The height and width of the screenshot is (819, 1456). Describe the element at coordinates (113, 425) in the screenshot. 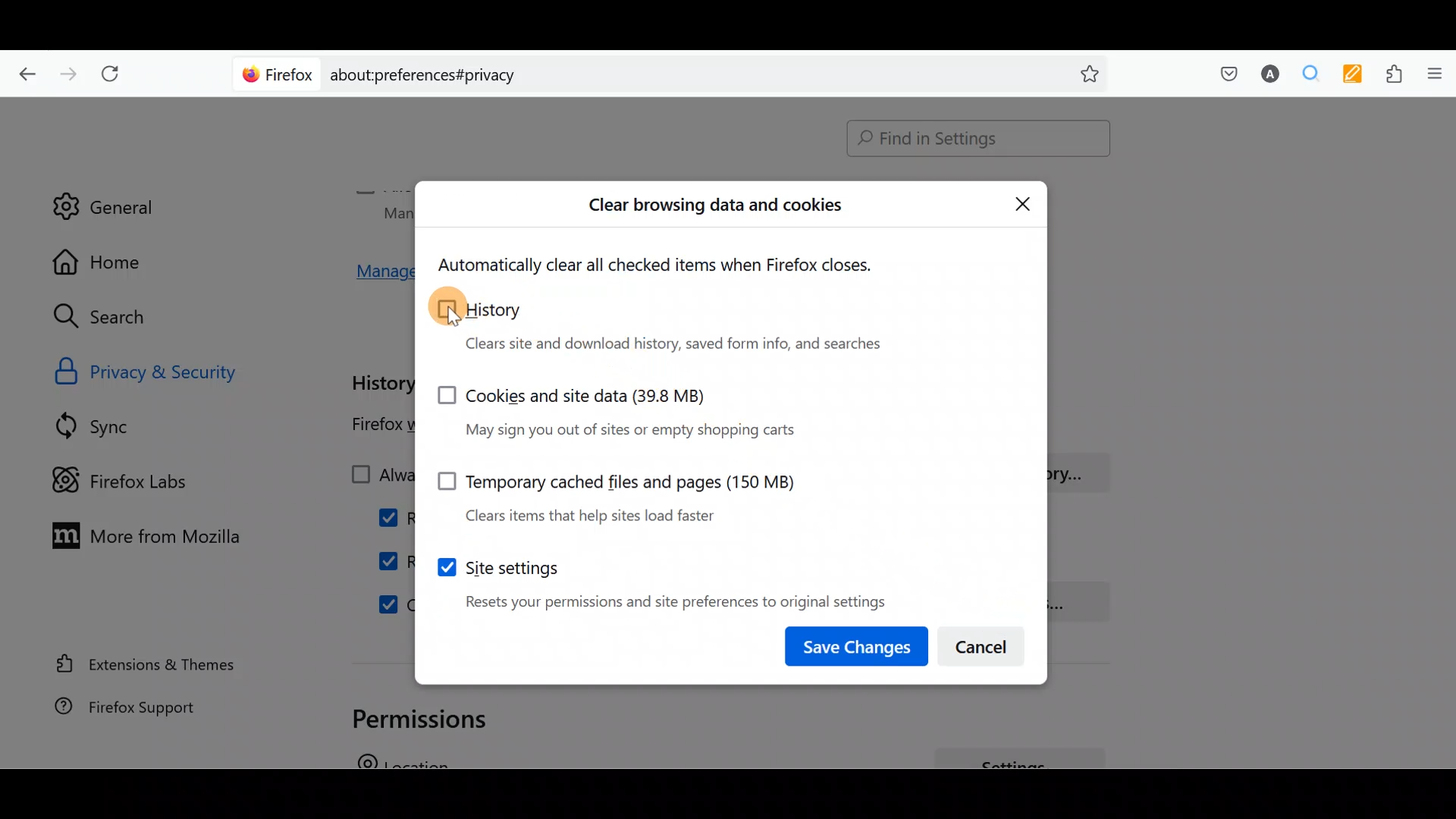

I see `Sync` at that location.